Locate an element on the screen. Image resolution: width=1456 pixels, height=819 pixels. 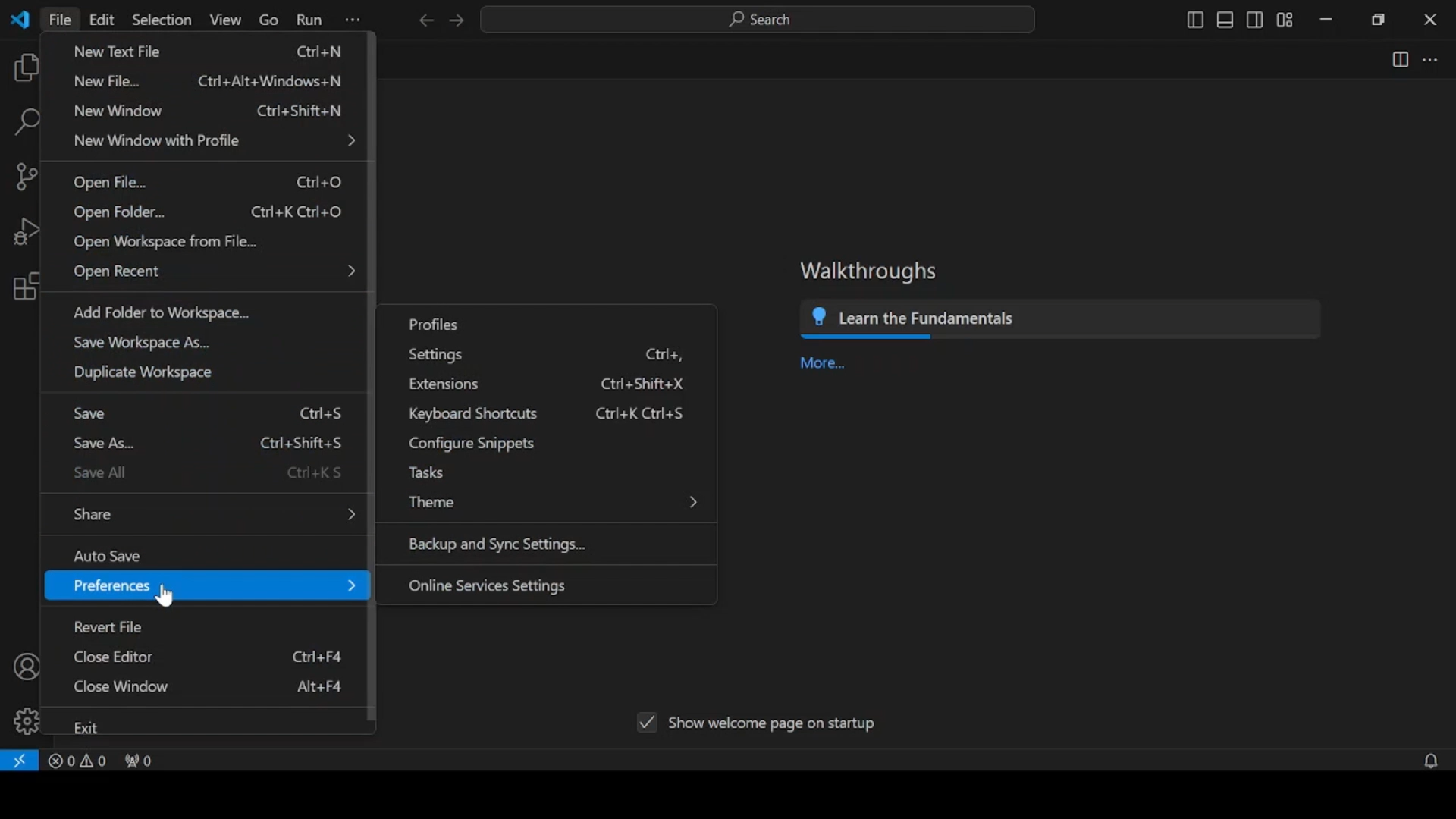
save as  is located at coordinates (104, 444).